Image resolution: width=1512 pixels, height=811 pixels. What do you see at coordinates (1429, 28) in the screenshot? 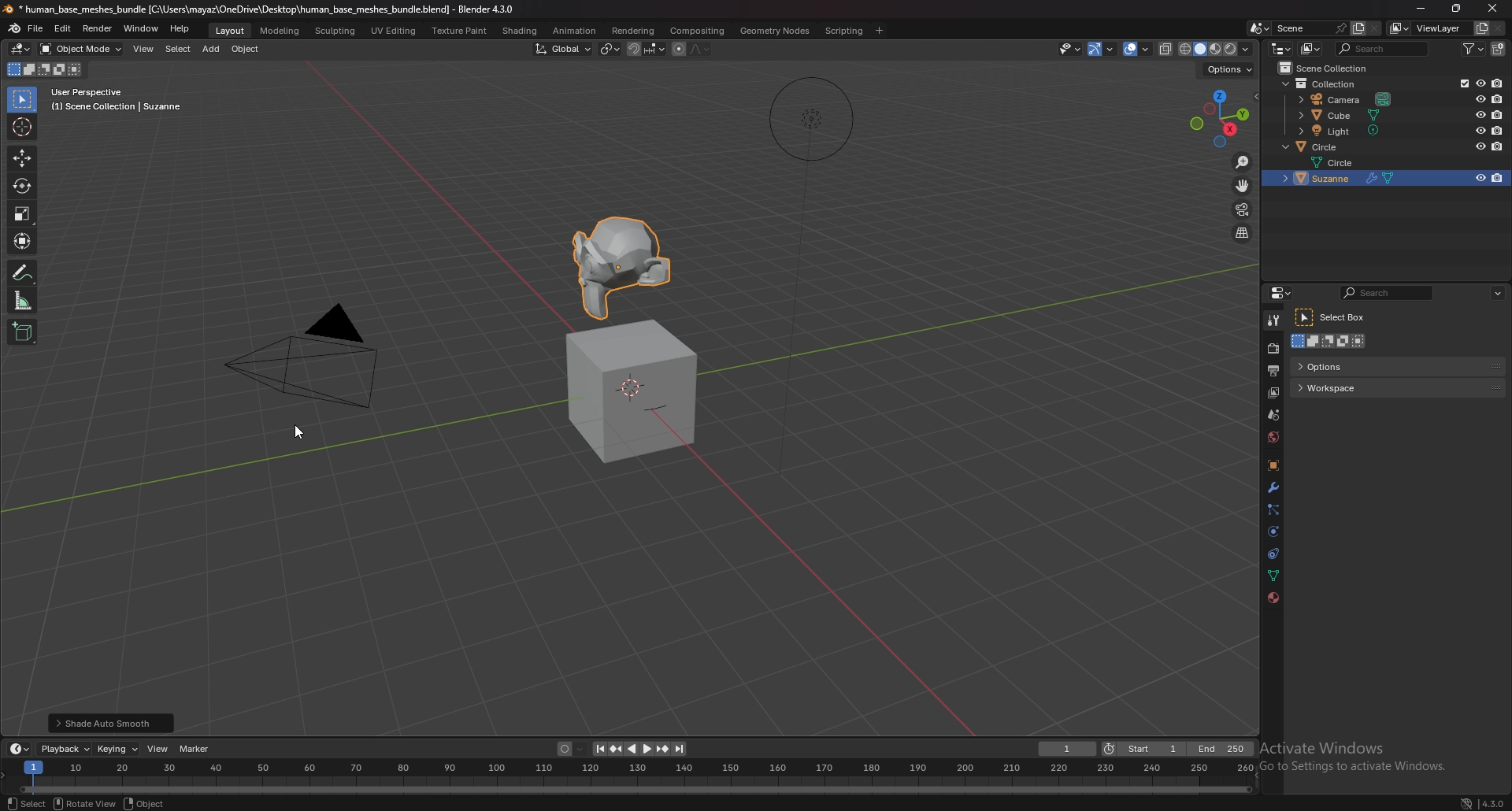
I see `view layer` at bounding box center [1429, 28].